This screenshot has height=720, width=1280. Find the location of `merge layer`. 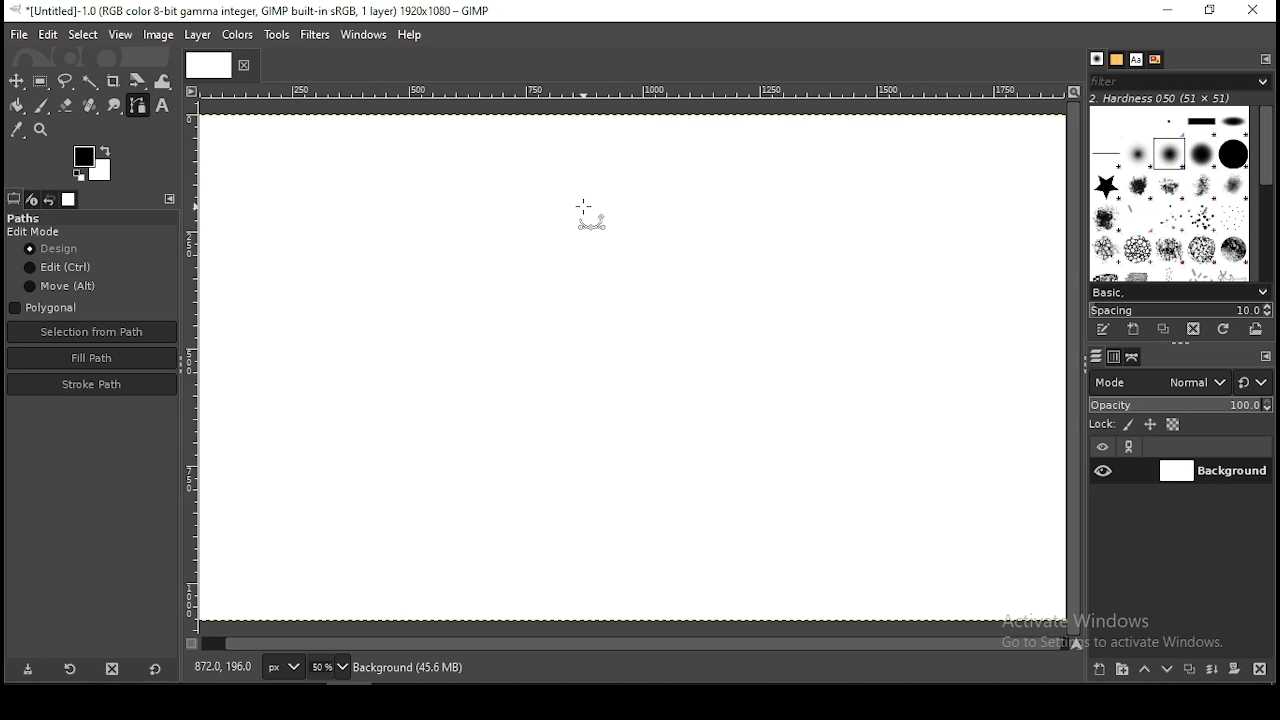

merge layer is located at coordinates (1214, 670).